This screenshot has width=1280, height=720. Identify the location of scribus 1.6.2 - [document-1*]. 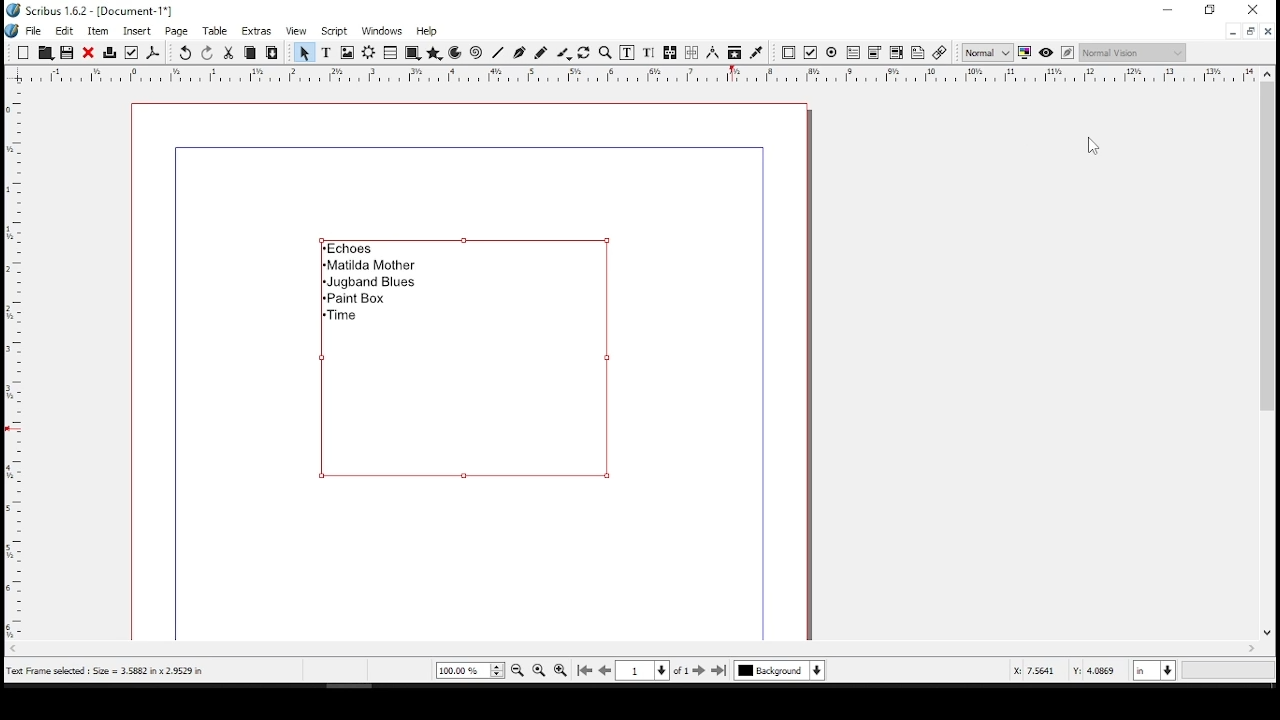
(102, 9).